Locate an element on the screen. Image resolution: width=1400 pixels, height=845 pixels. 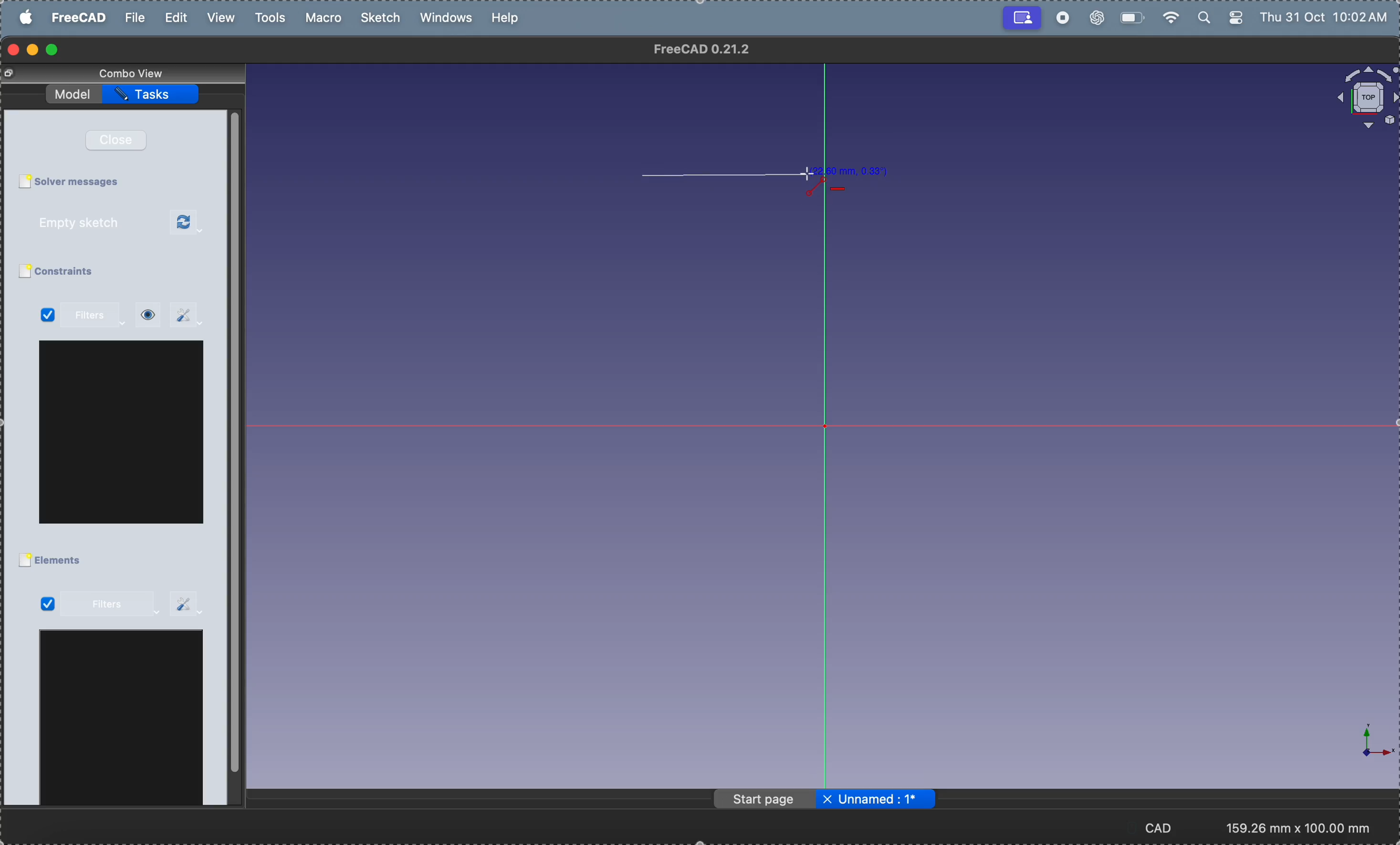
chatgpt is located at coordinates (1095, 19).